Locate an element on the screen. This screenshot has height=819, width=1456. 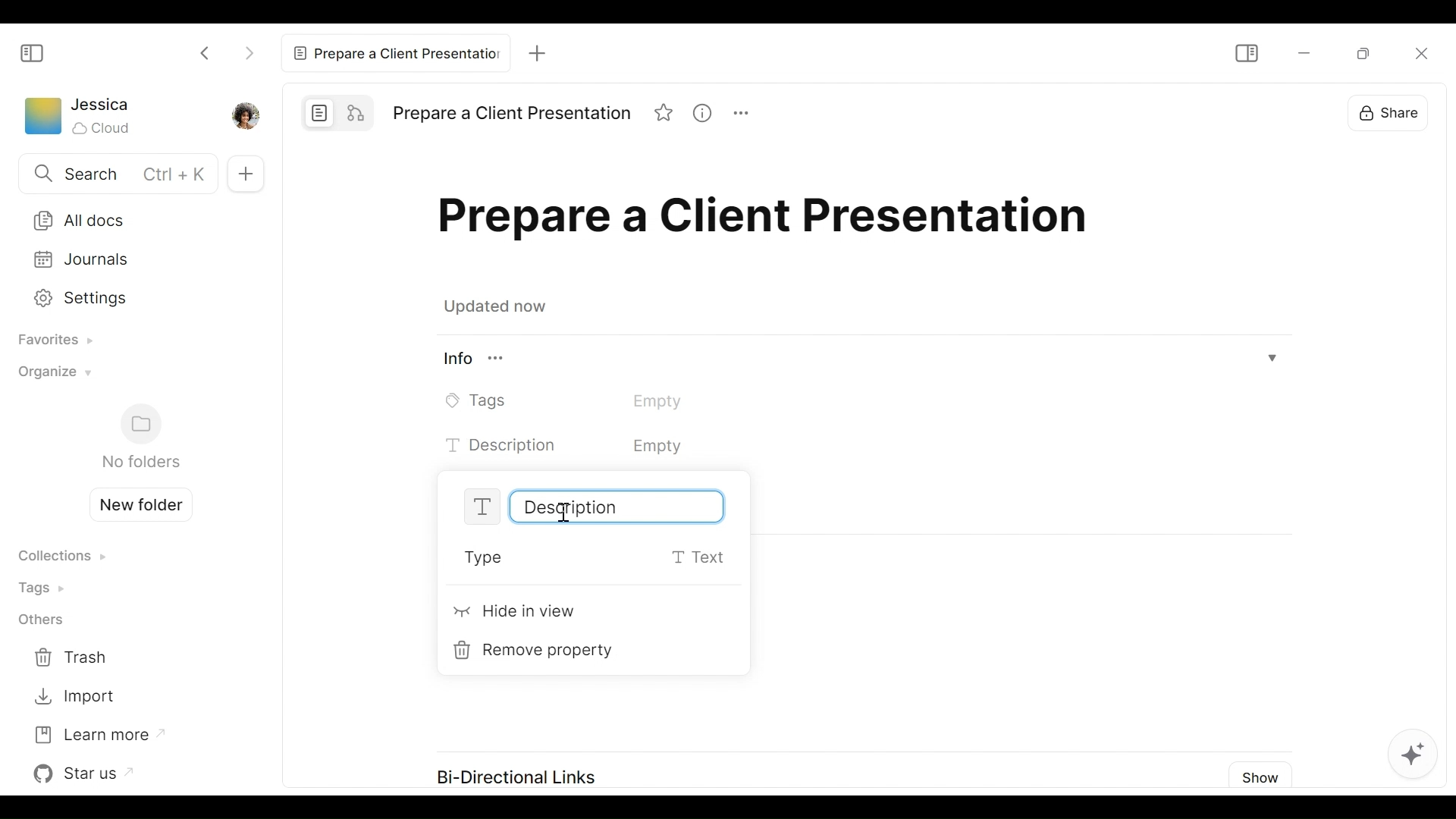
Username is located at coordinates (102, 105).